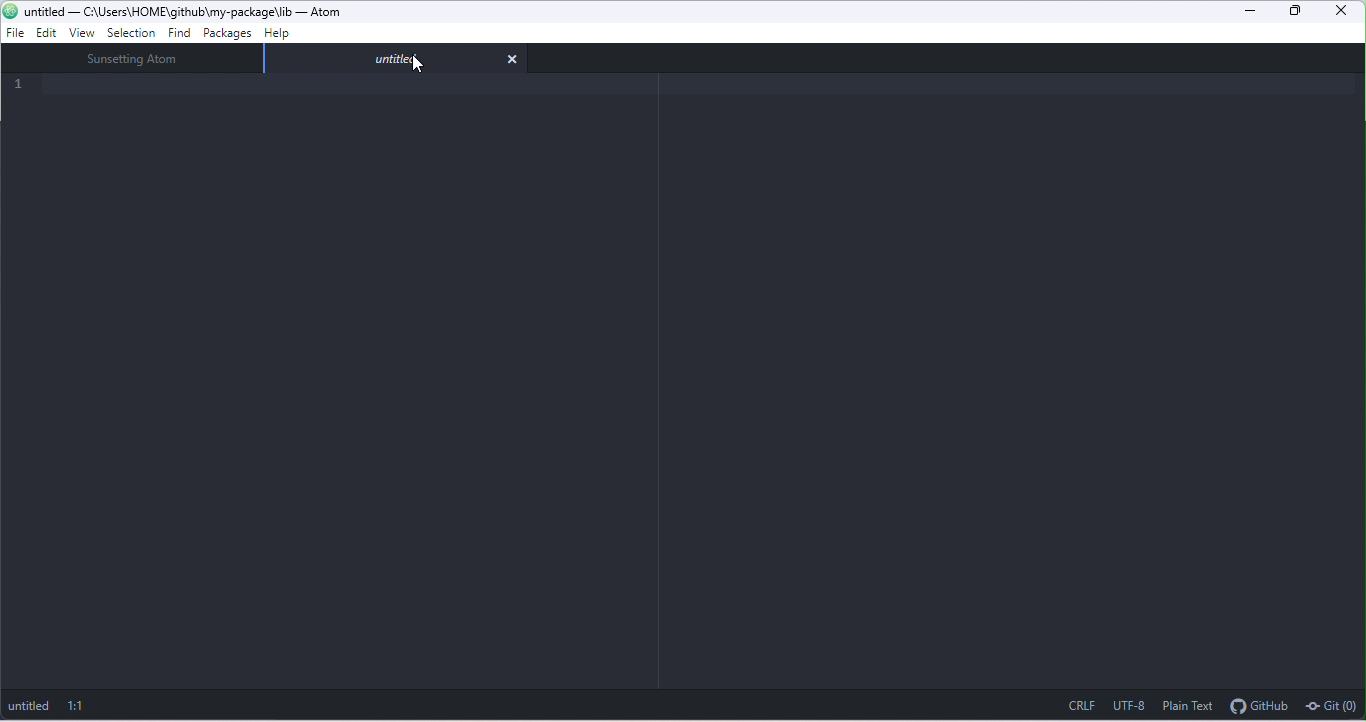  I want to click on maximize, so click(1296, 13).